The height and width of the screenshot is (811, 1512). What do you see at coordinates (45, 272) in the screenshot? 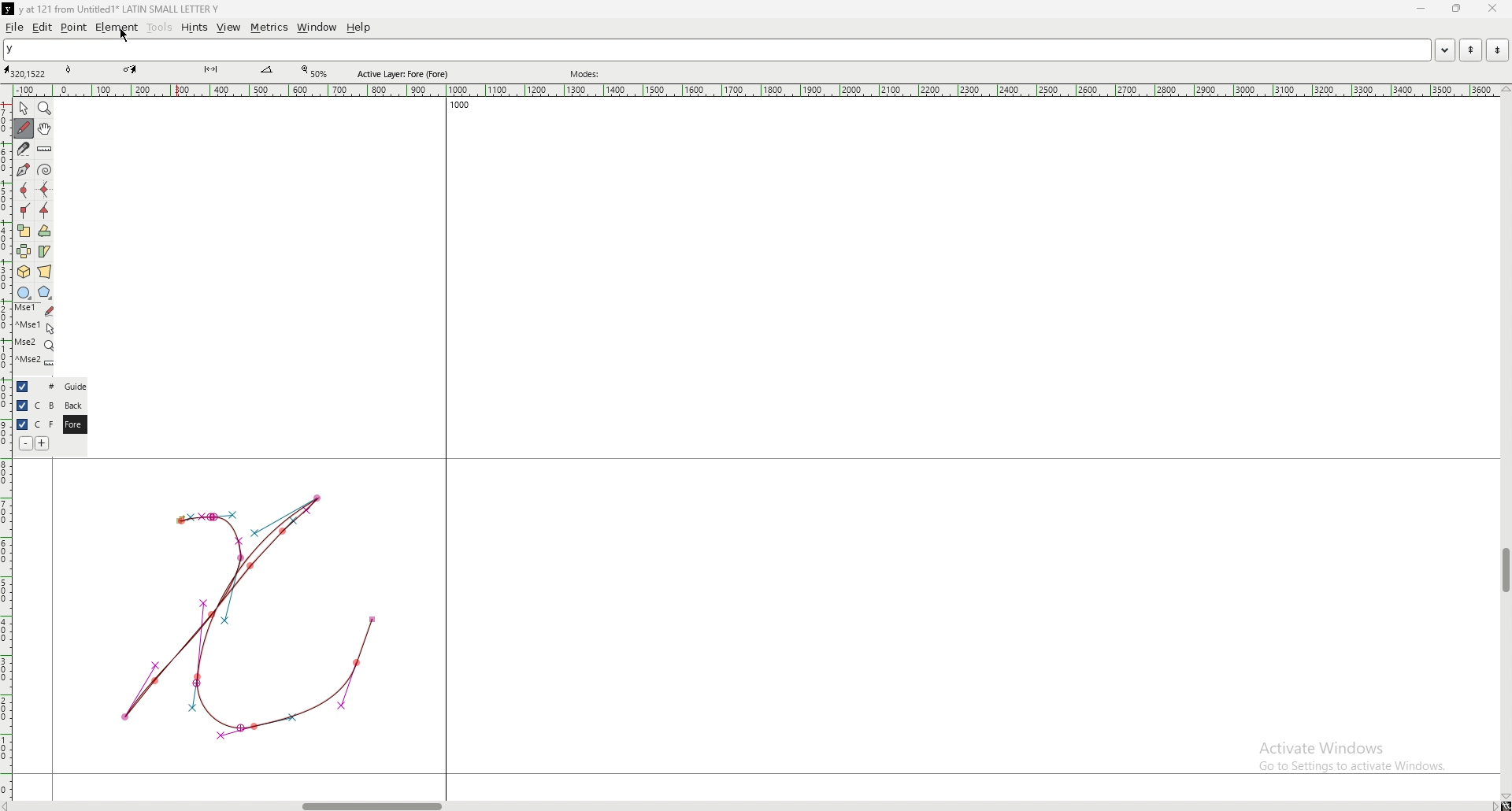
I see `perform a perspective transformation` at bounding box center [45, 272].